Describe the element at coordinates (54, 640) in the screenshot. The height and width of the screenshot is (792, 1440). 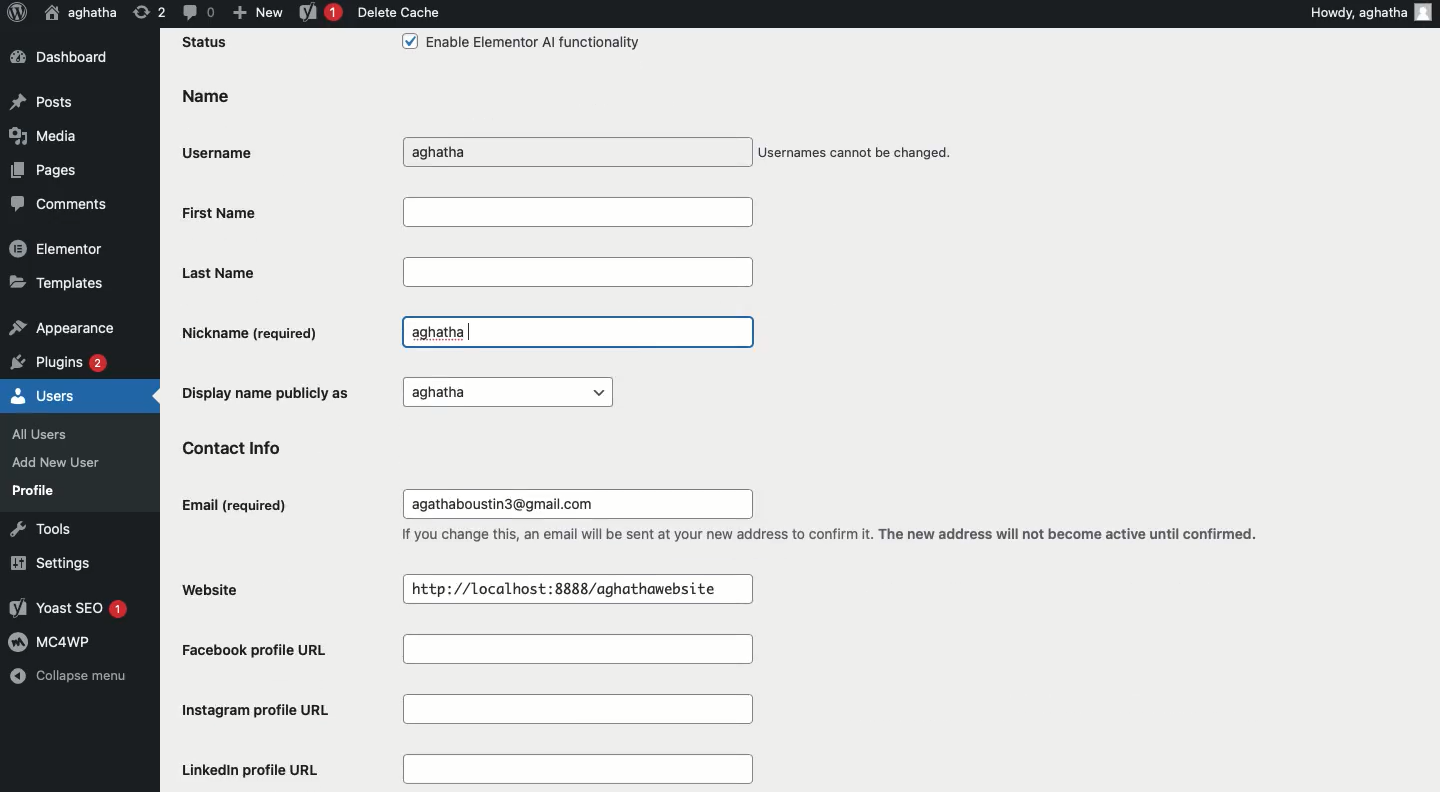
I see `MC4WP` at that location.